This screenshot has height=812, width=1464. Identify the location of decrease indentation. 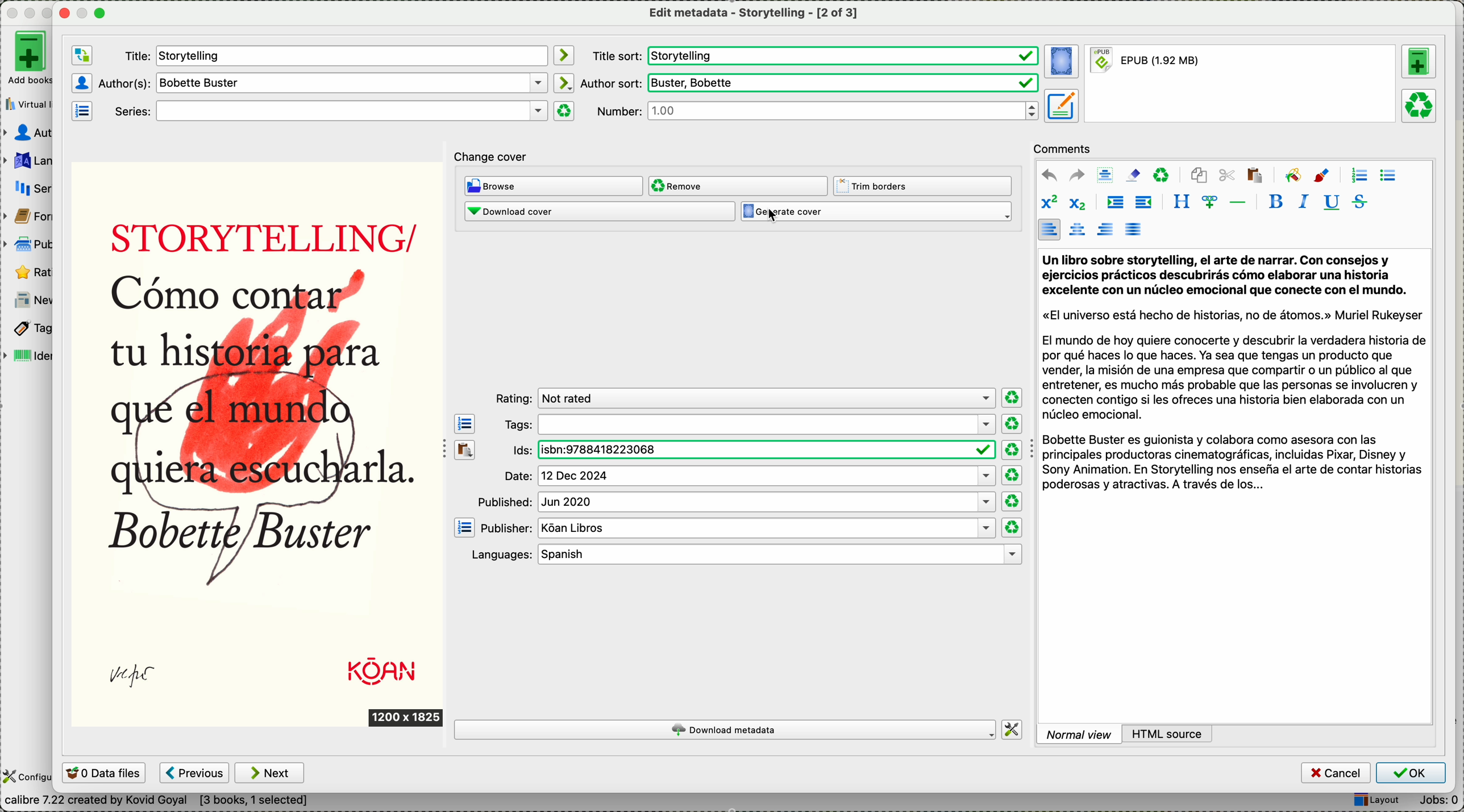
(1144, 203).